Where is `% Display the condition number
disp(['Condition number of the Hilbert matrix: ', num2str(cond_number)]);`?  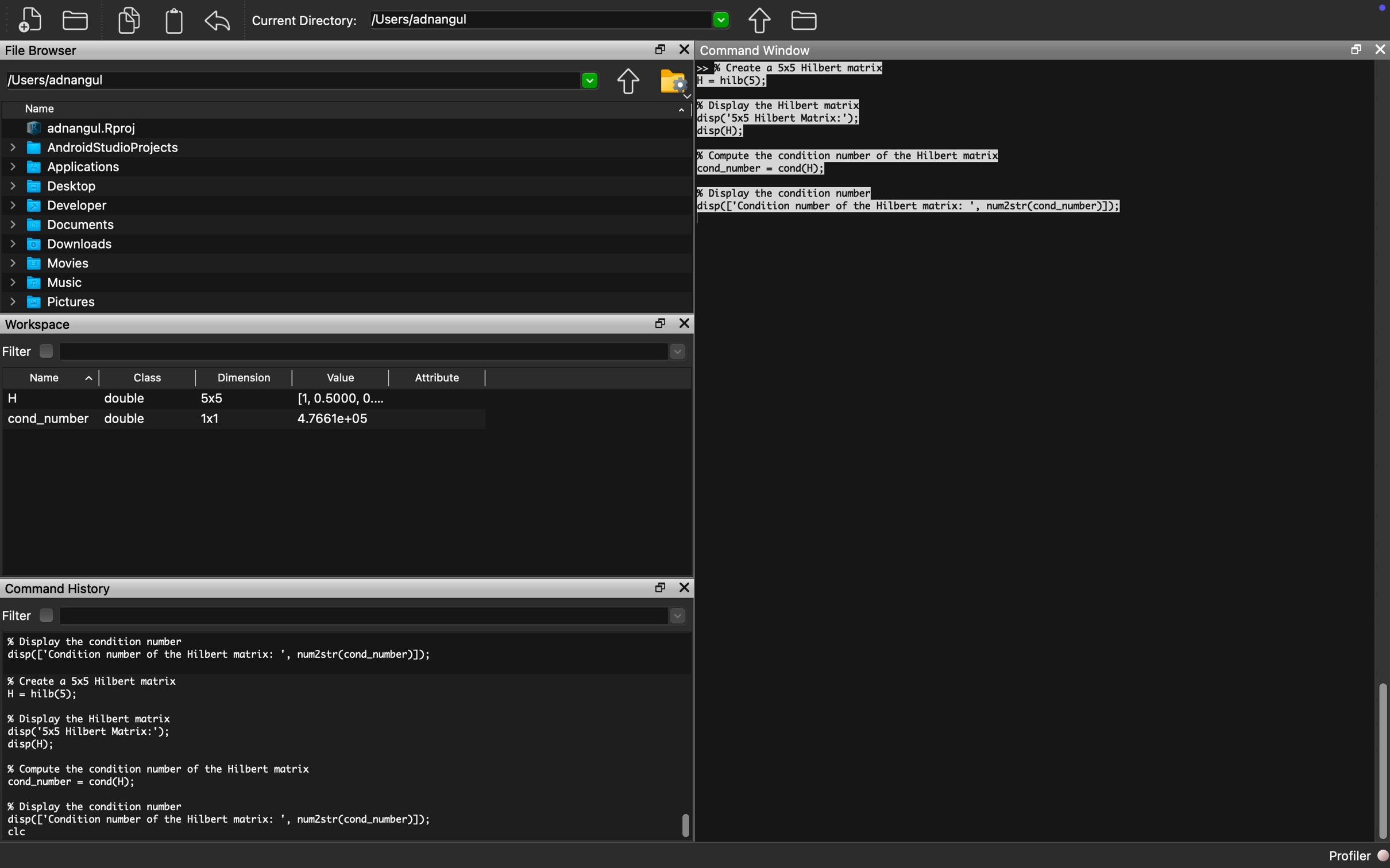 % Display the condition number
disp(['Condition number of the Hilbert matrix: ', num2str(cond_number)]); is located at coordinates (226, 652).